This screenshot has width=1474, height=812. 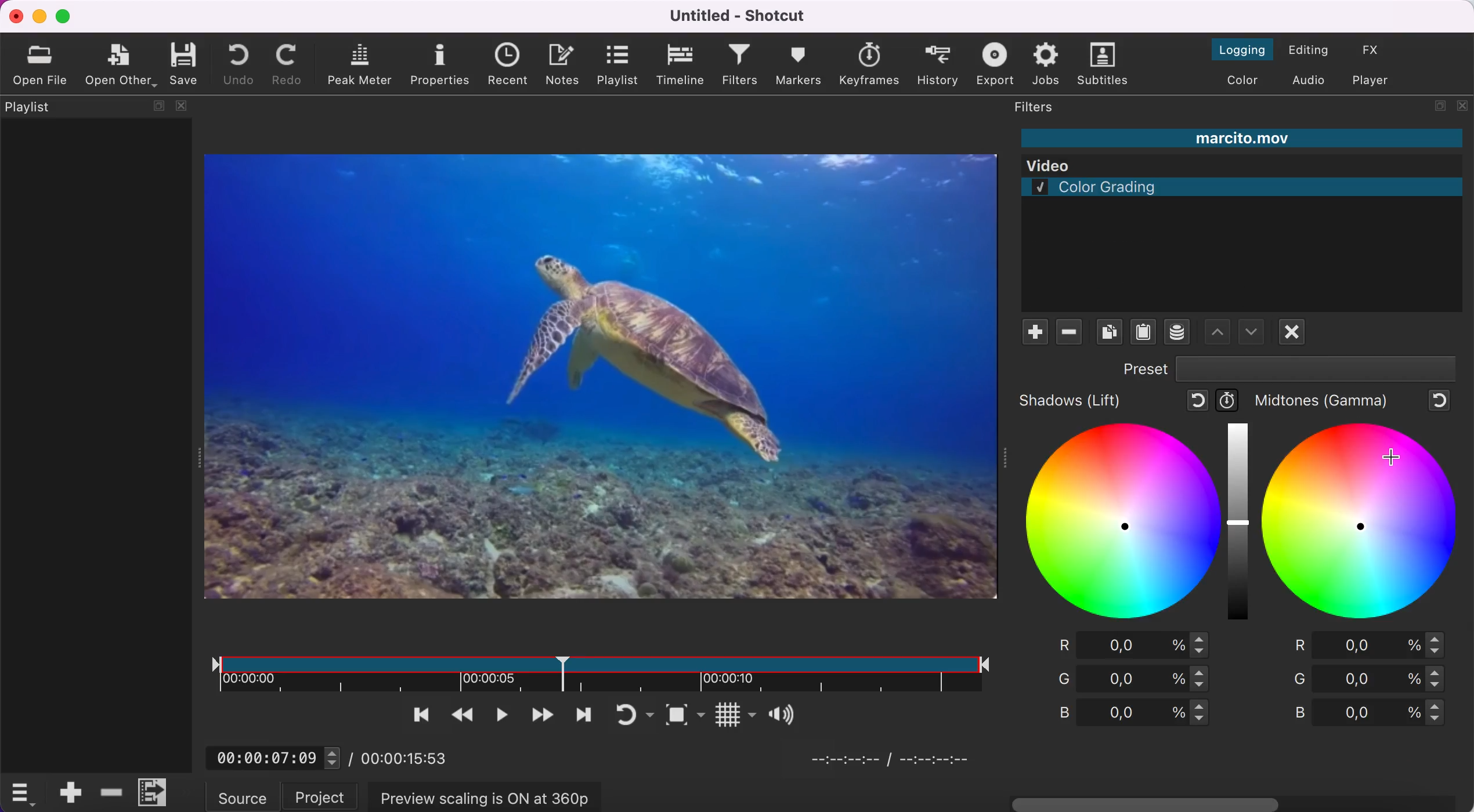 I want to click on project, so click(x=318, y=796).